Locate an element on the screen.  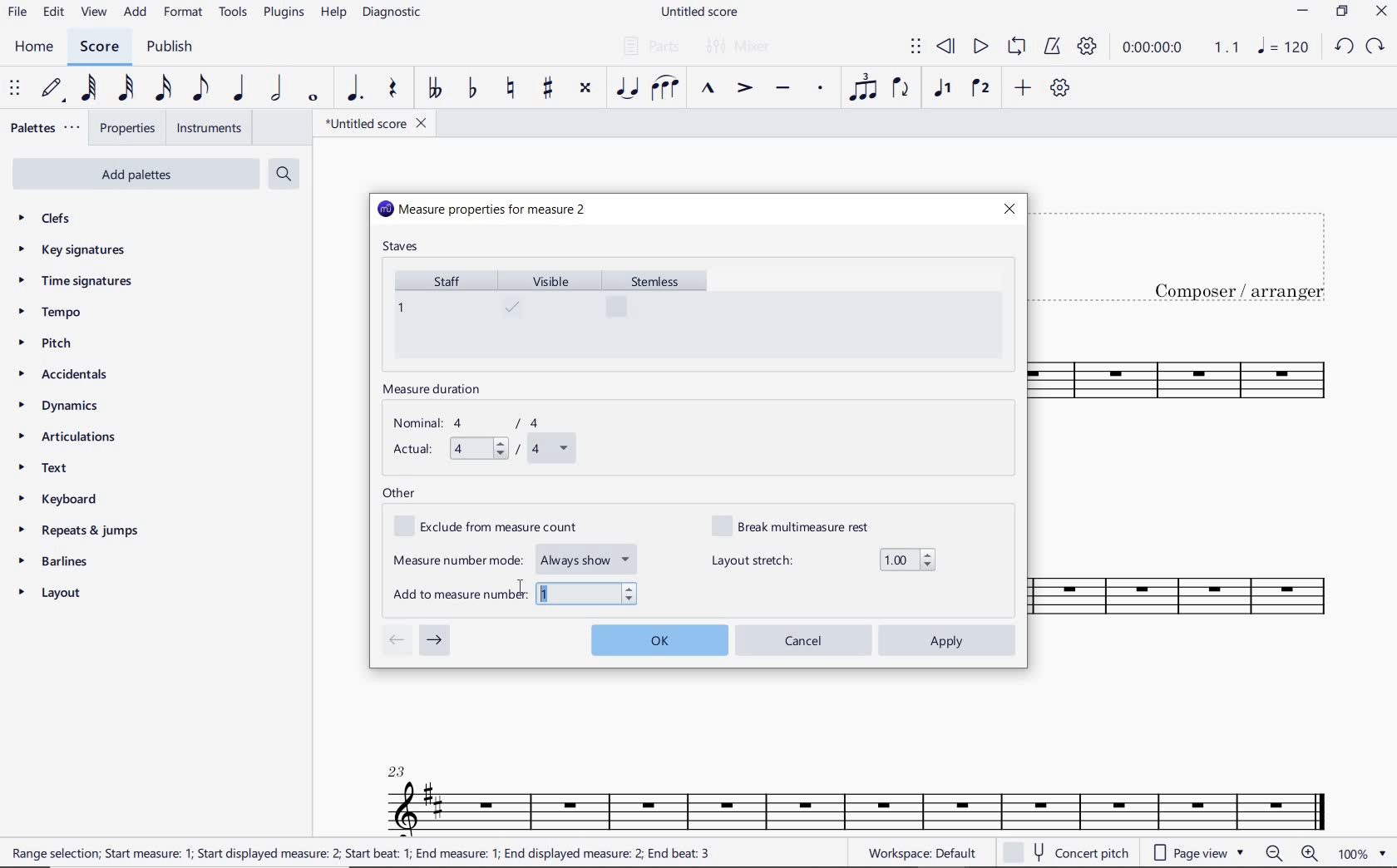
MIXER is located at coordinates (739, 47).